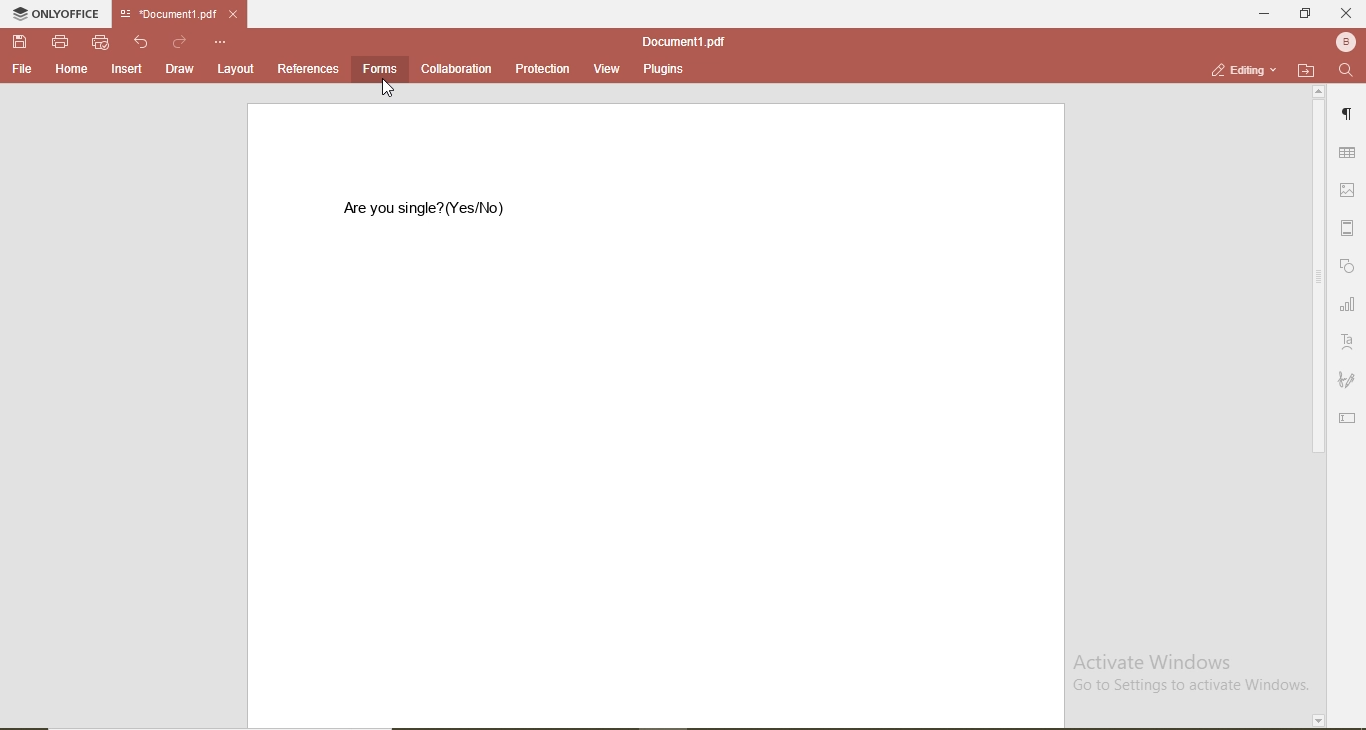 This screenshot has height=730, width=1366. I want to click on protection, so click(544, 68).